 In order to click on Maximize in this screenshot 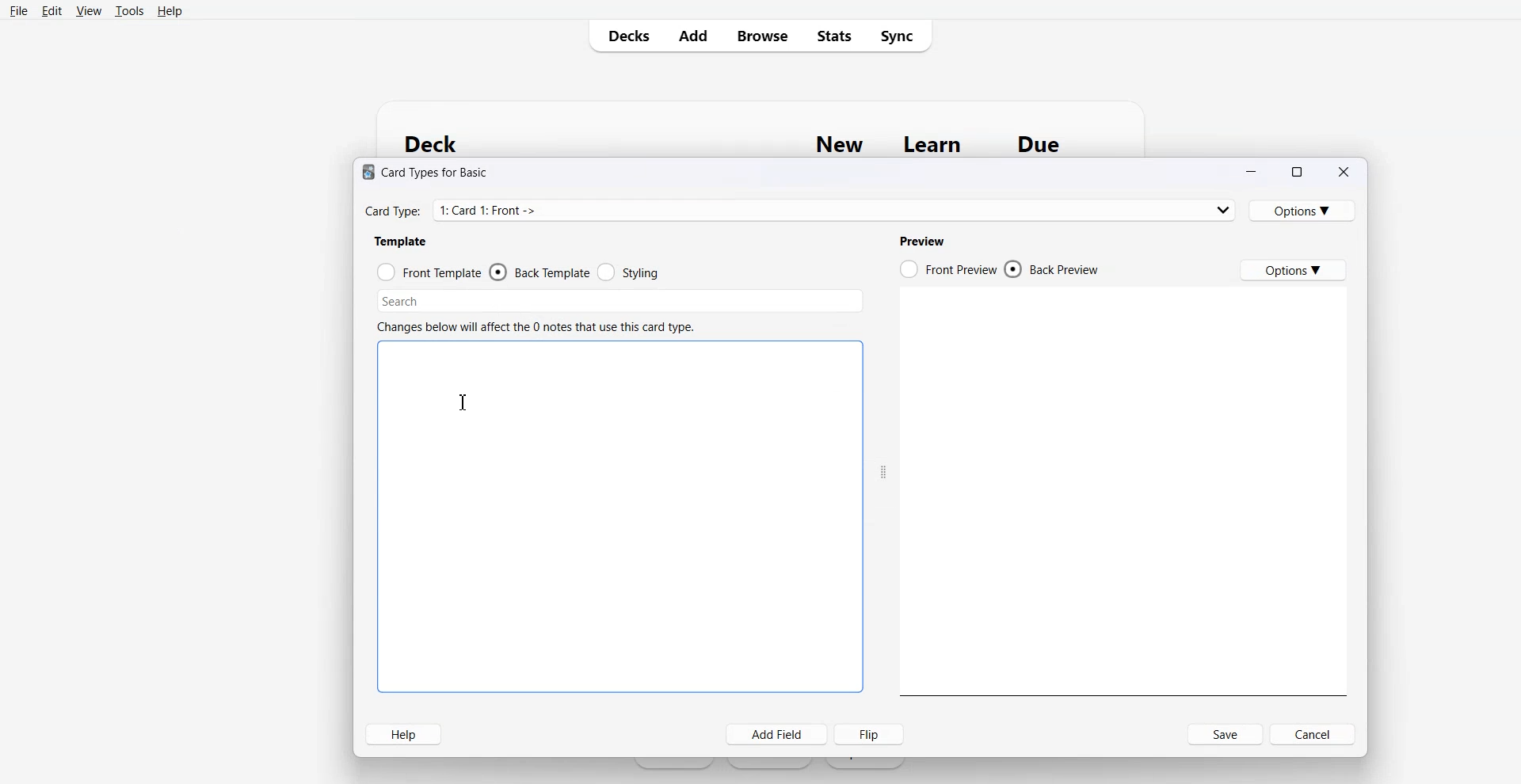, I will do `click(1295, 173)`.